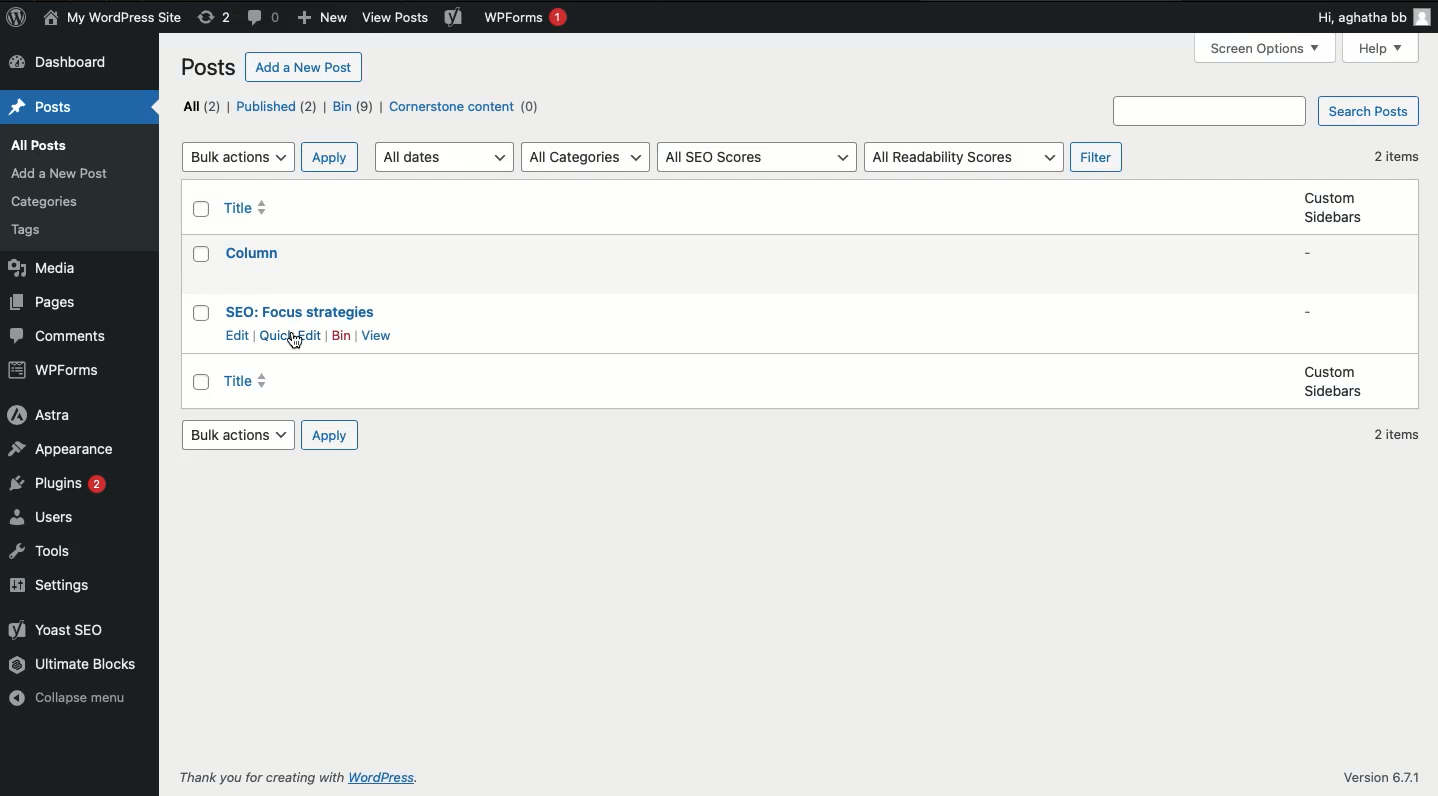  I want to click on Name, so click(115, 19).